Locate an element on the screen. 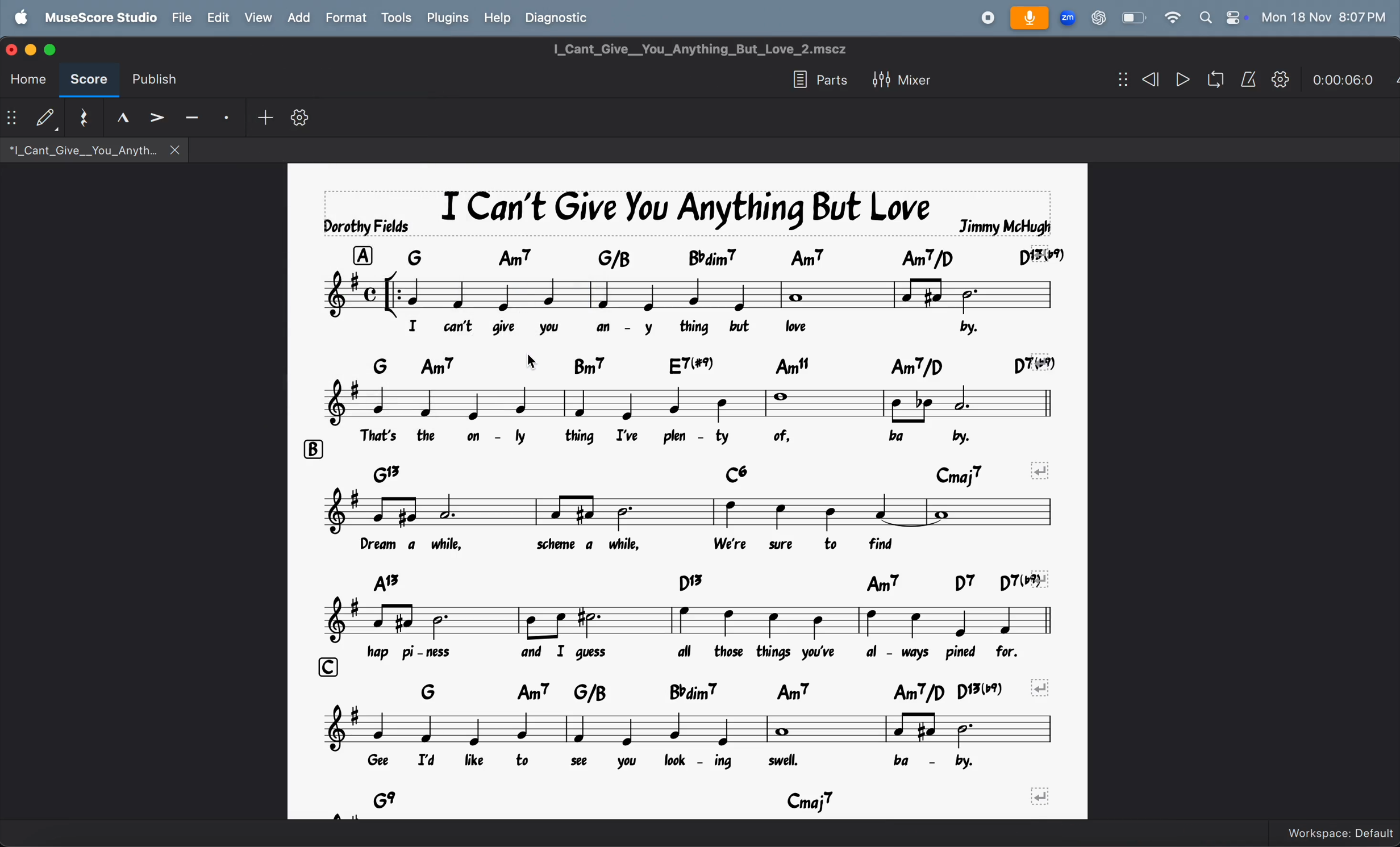 The height and width of the screenshot is (847, 1400). file is located at coordinates (182, 18).